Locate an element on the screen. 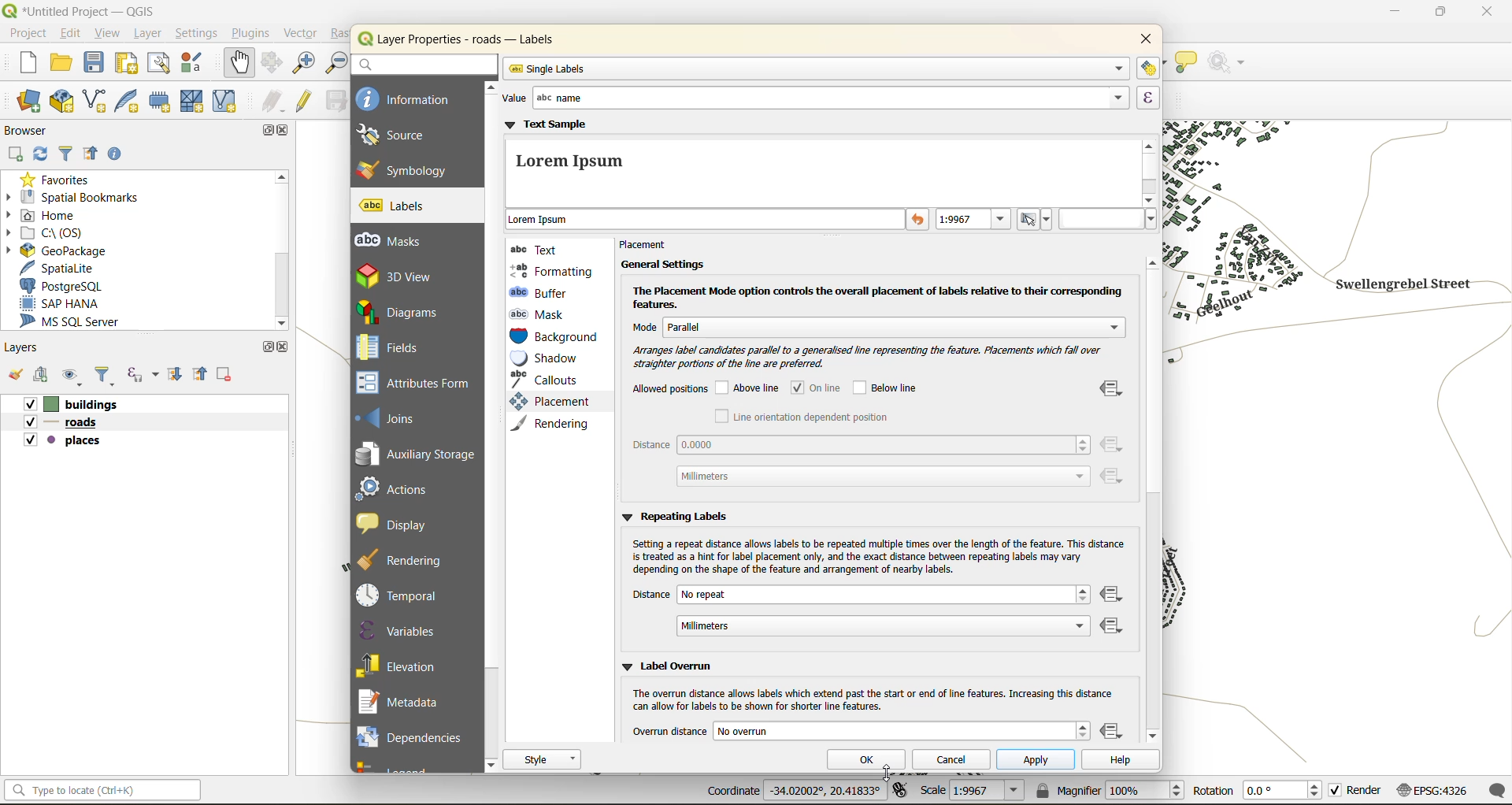 The image size is (1512, 805). filter is located at coordinates (66, 154).